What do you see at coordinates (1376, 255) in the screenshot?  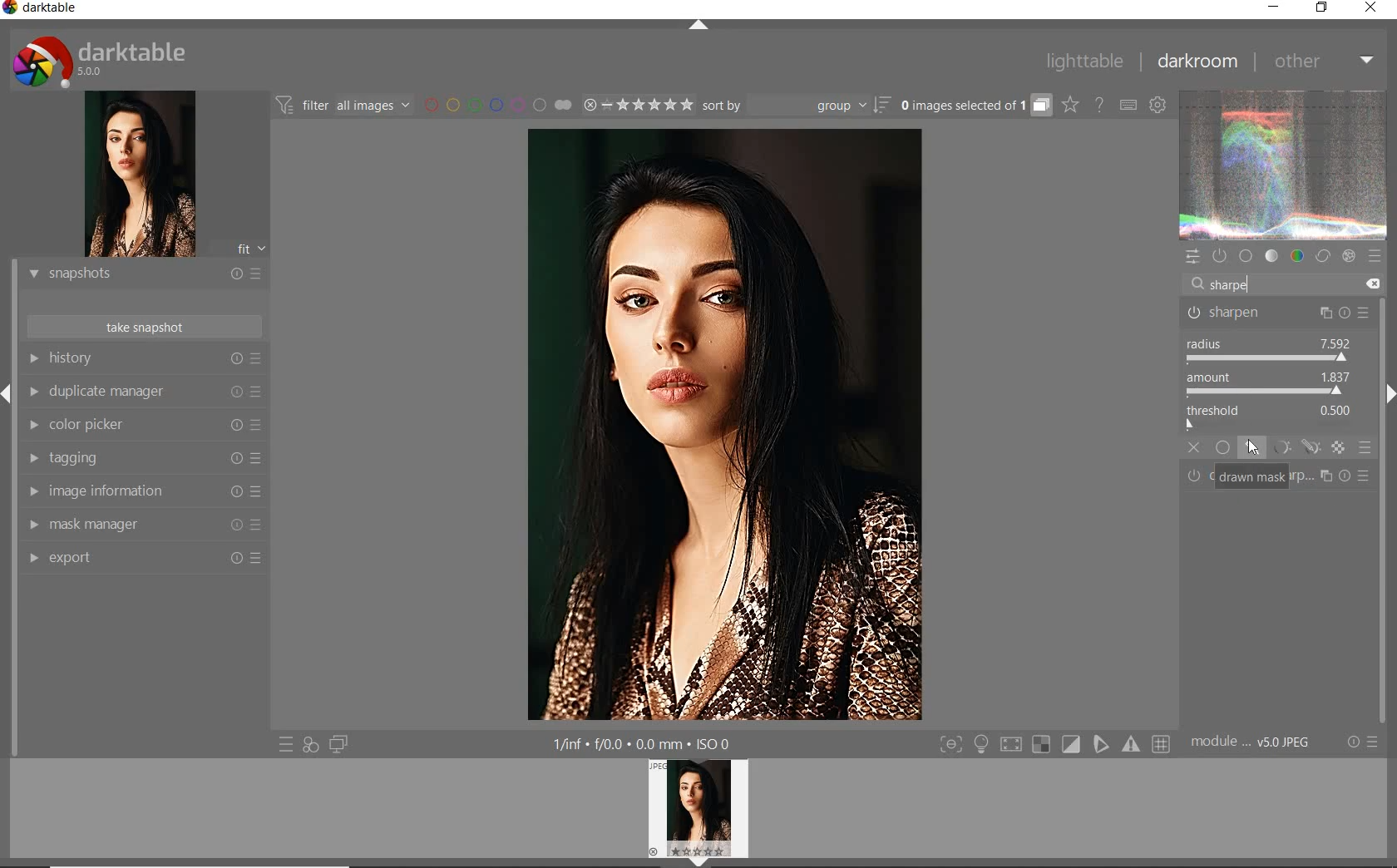 I see `presets` at bounding box center [1376, 255].